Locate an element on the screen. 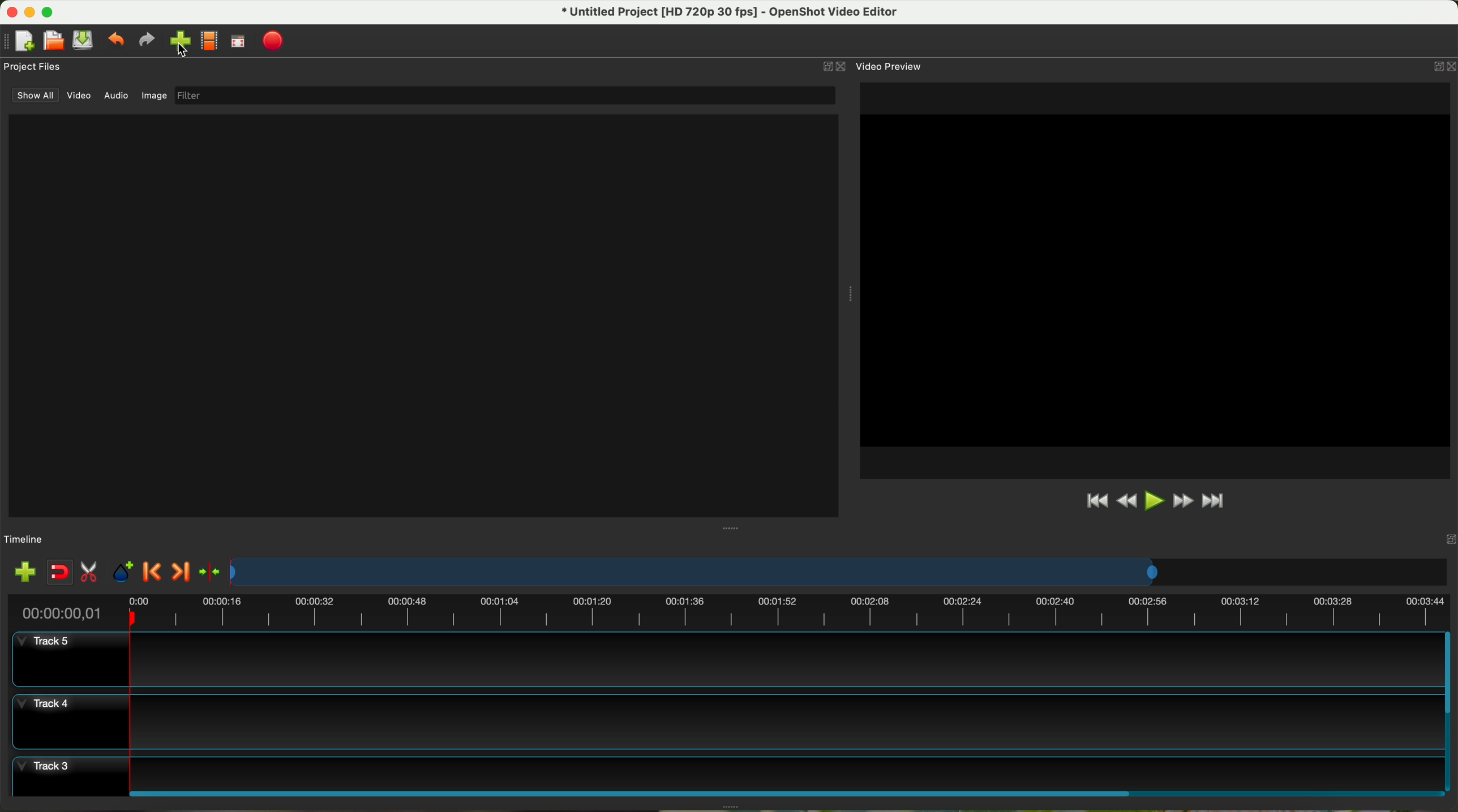 This screenshot has width=1458, height=812. center the timeline on the playhead is located at coordinates (211, 573).